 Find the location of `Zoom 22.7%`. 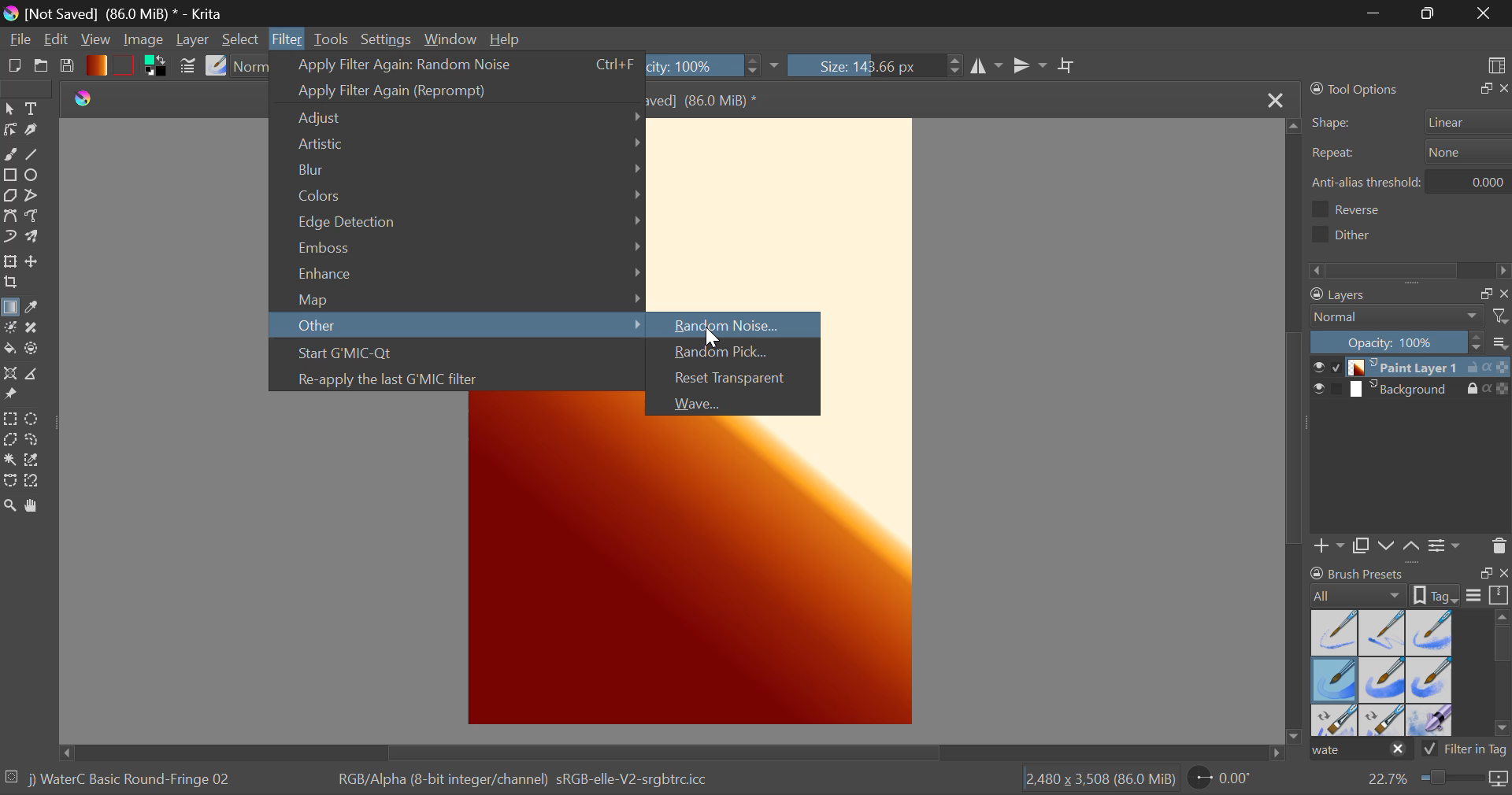

Zoom 22.7% is located at coordinates (1435, 782).